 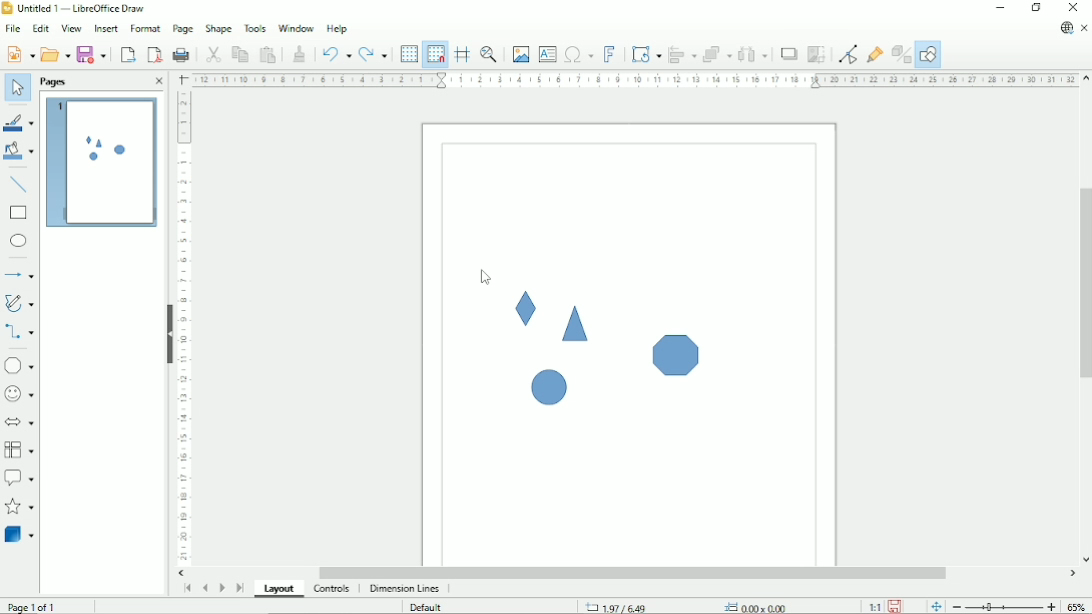 I want to click on Scroll to previous page, so click(x=206, y=586).